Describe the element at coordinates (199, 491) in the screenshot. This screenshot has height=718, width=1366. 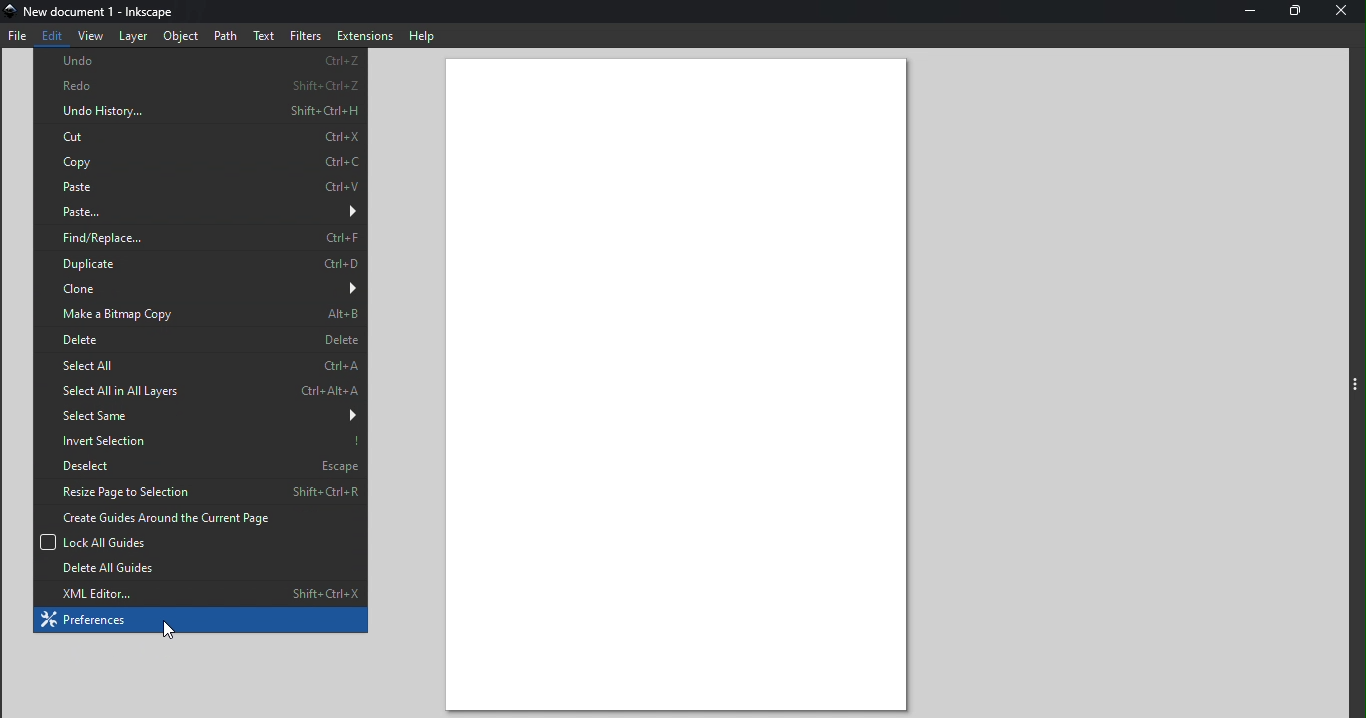
I see `Resize page o selection` at that location.